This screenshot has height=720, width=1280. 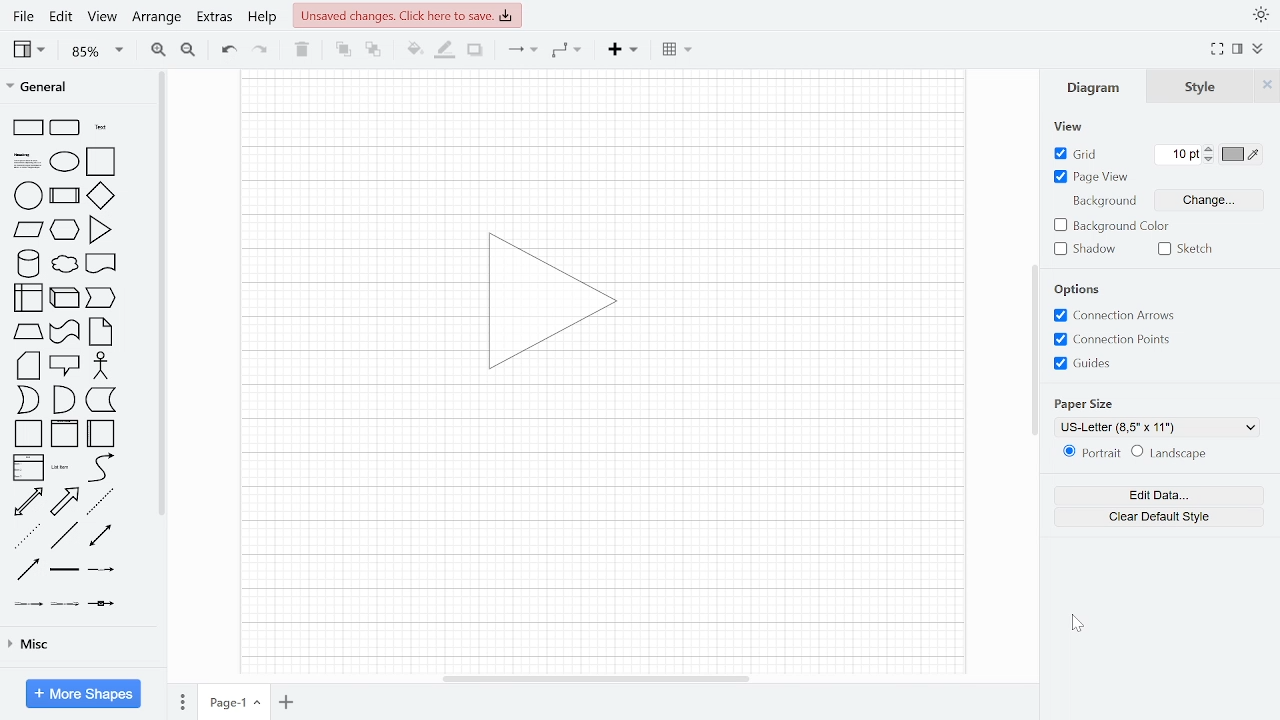 What do you see at coordinates (263, 19) in the screenshot?
I see `Help` at bounding box center [263, 19].